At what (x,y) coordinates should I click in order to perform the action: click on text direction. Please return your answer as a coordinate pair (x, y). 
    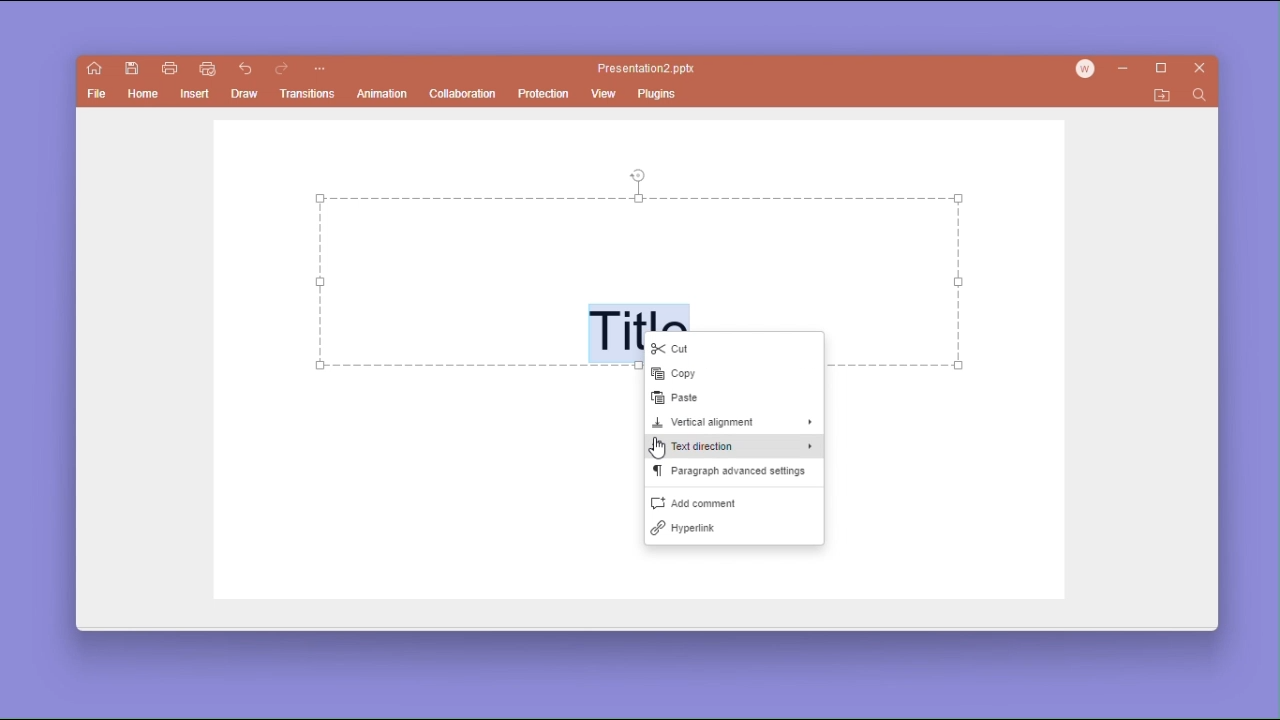
    Looking at the image, I should click on (734, 449).